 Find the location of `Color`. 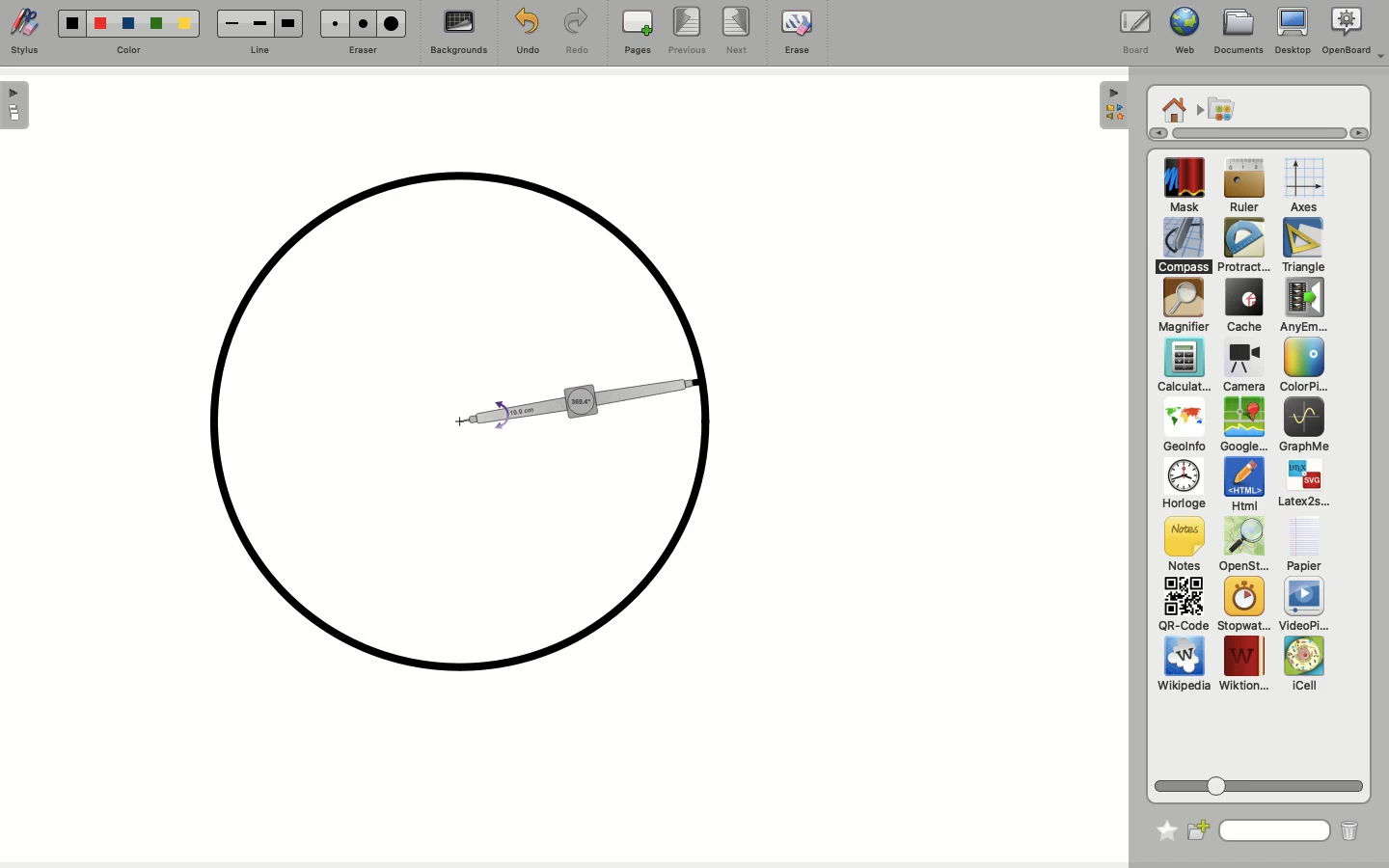

Color is located at coordinates (1300, 366).